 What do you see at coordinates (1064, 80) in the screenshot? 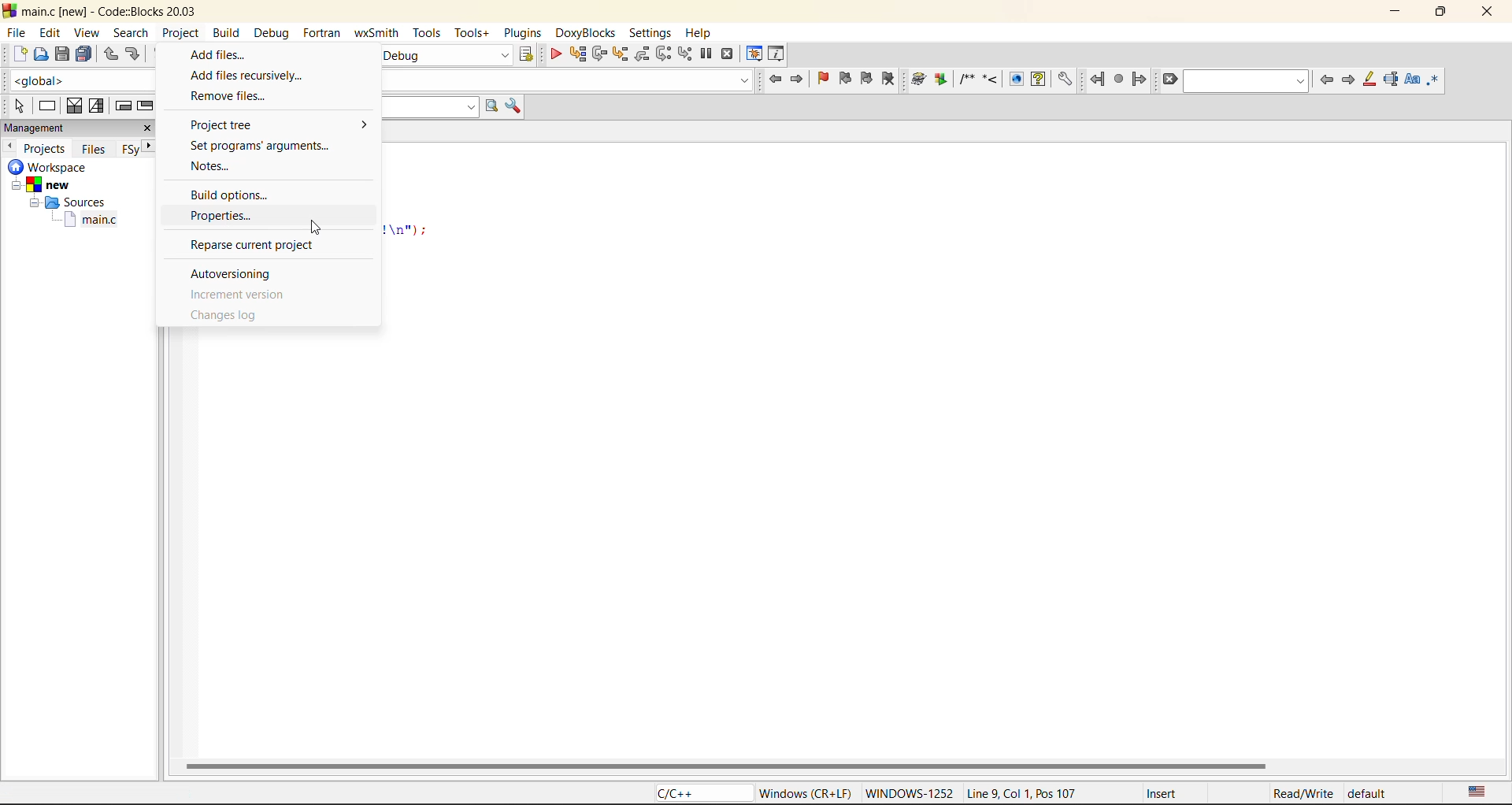
I see `Open DoxyBlocks' preferences` at bounding box center [1064, 80].